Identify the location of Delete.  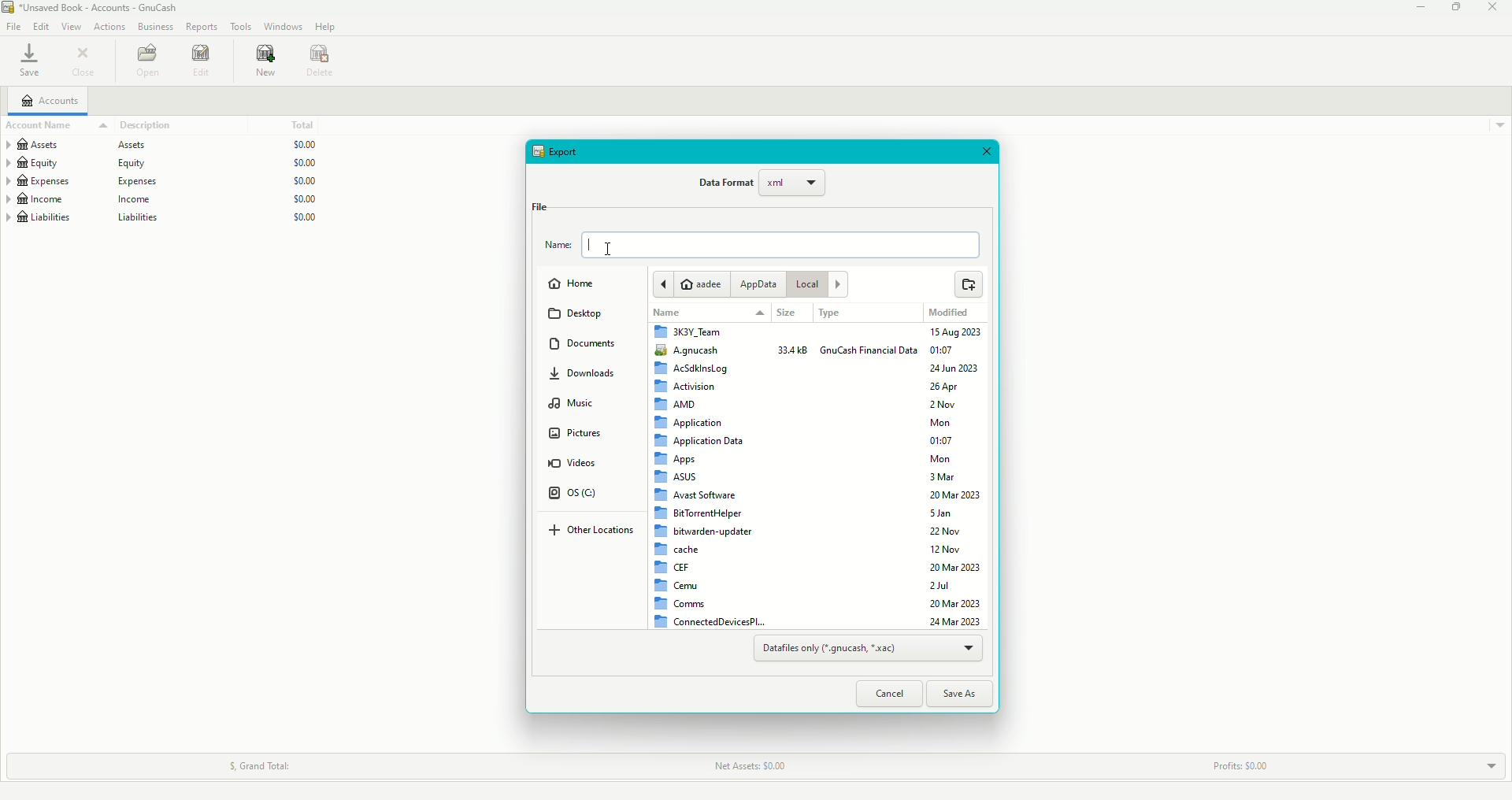
(324, 62).